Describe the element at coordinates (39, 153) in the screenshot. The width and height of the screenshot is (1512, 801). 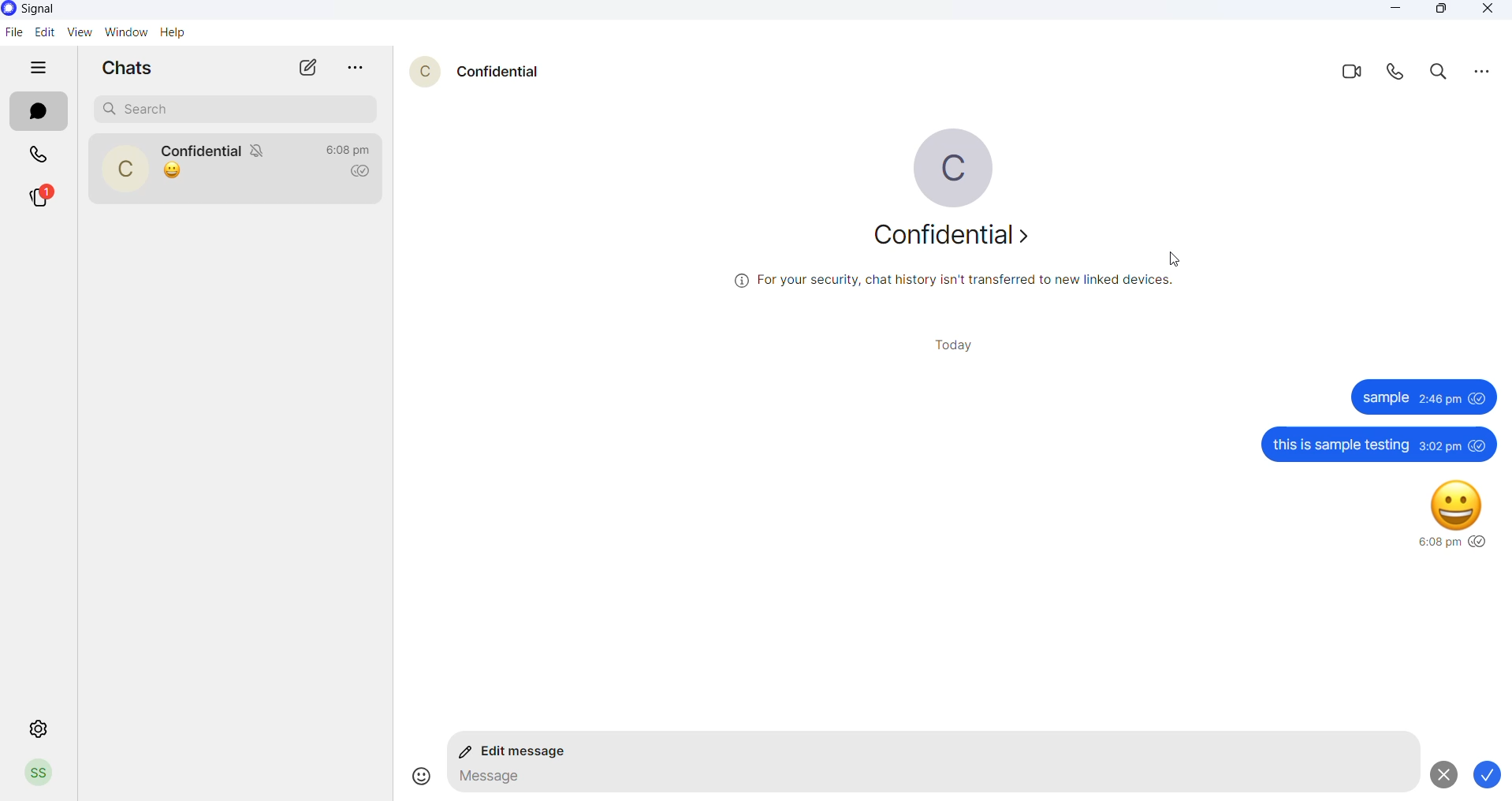
I see `calls` at that location.